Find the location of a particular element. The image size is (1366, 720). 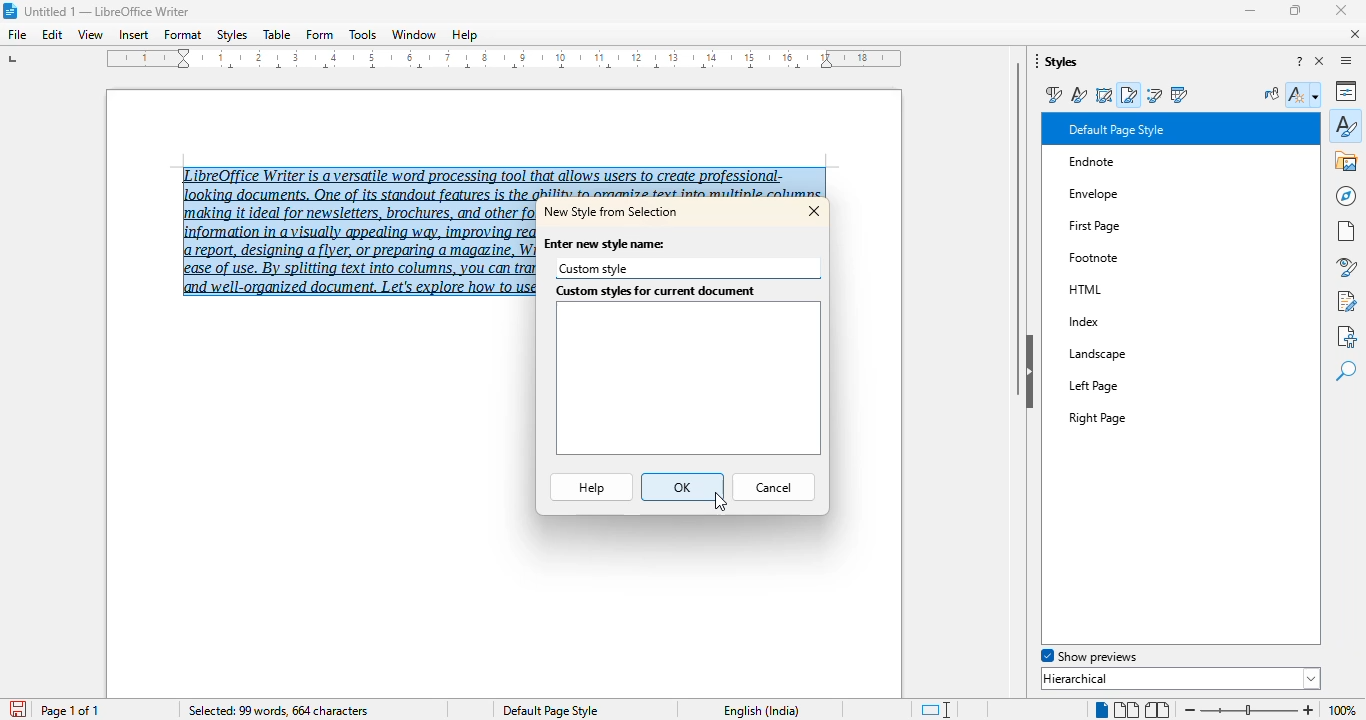

LibreOffice logo is located at coordinates (12, 10).